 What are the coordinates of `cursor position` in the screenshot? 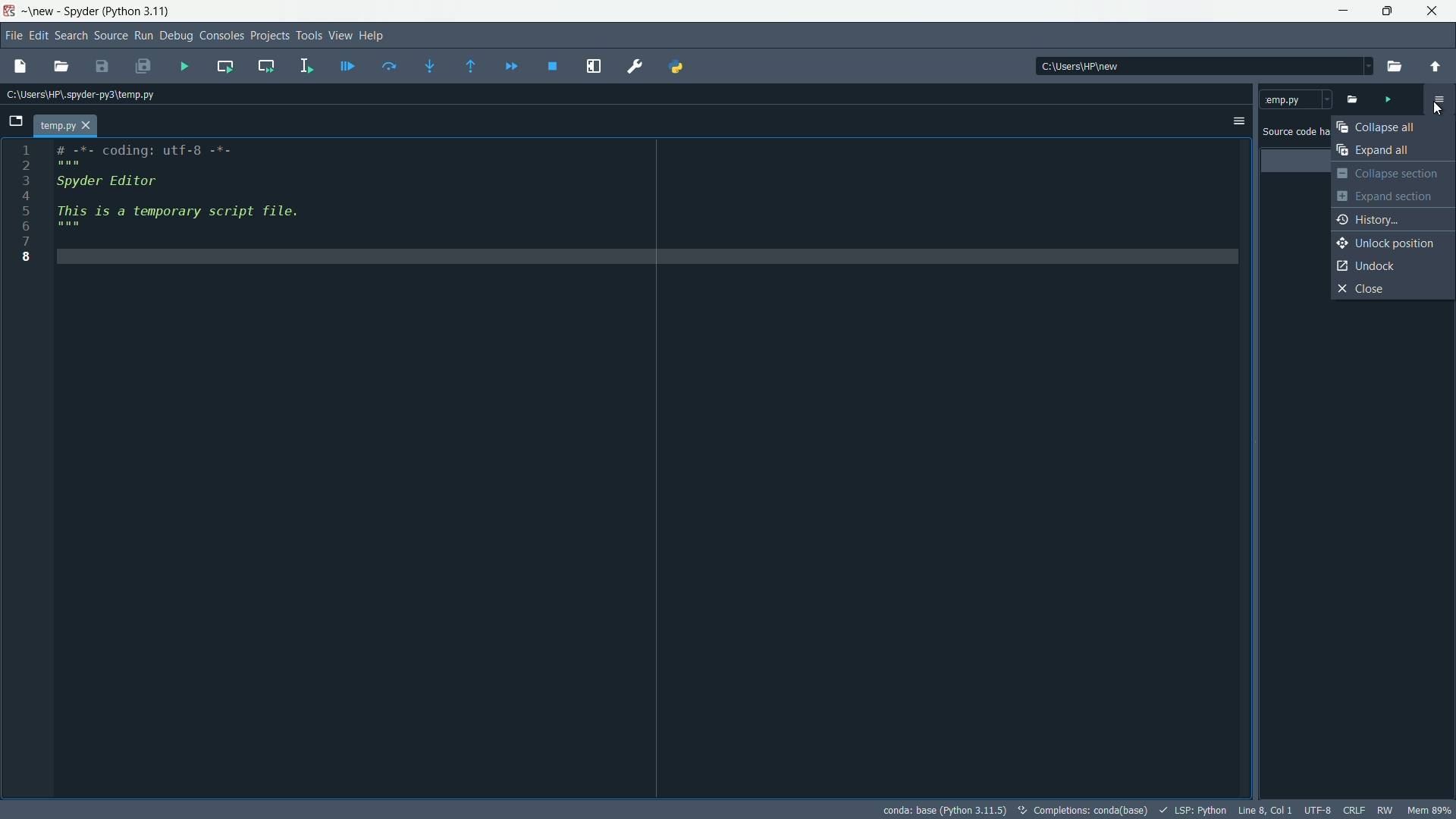 It's located at (1266, 810).